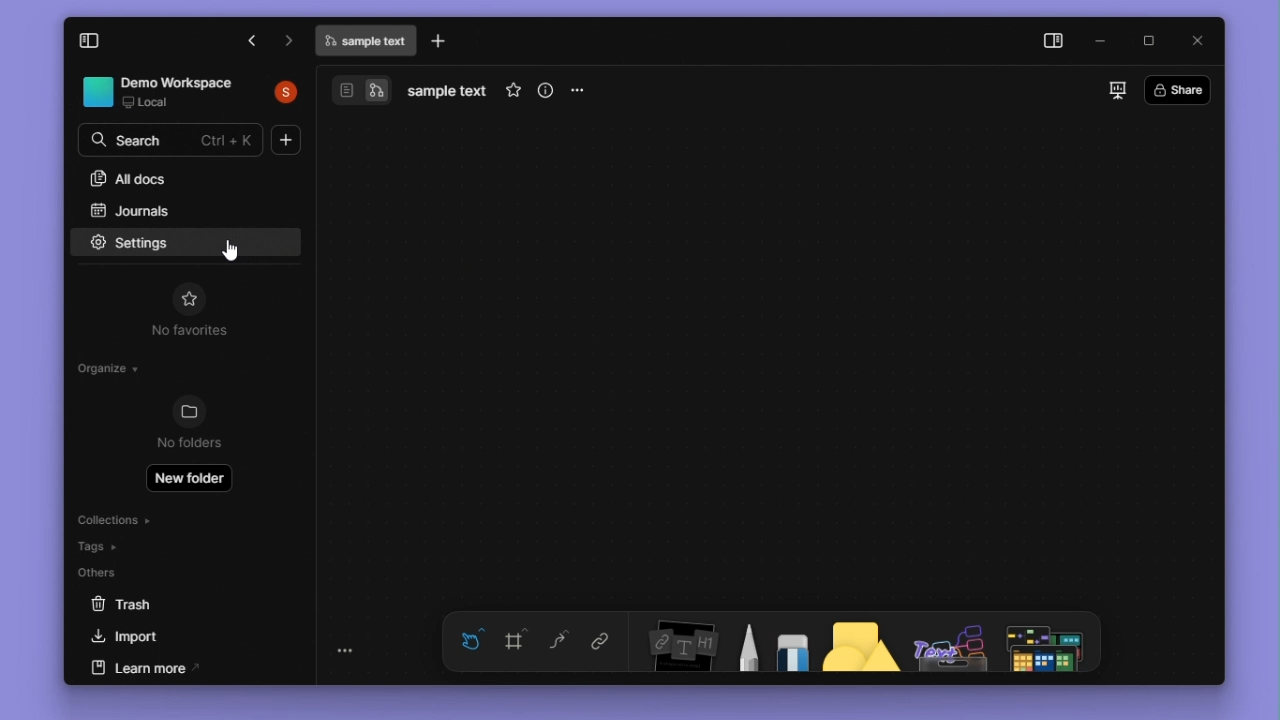  I want to click on cursor, so click(235, 253).